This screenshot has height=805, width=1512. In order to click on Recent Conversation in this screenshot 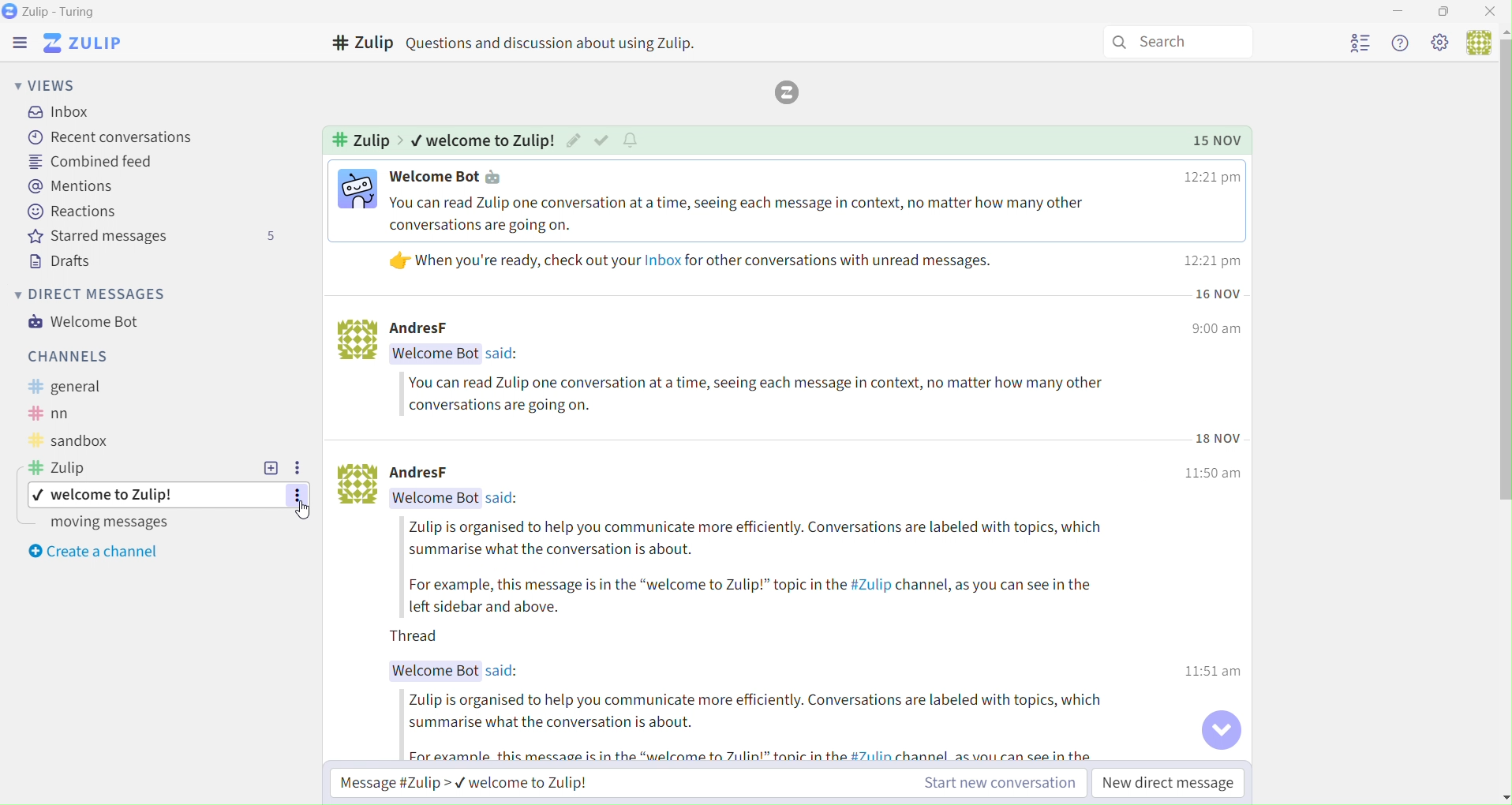, I will do `click(105, 137)`.